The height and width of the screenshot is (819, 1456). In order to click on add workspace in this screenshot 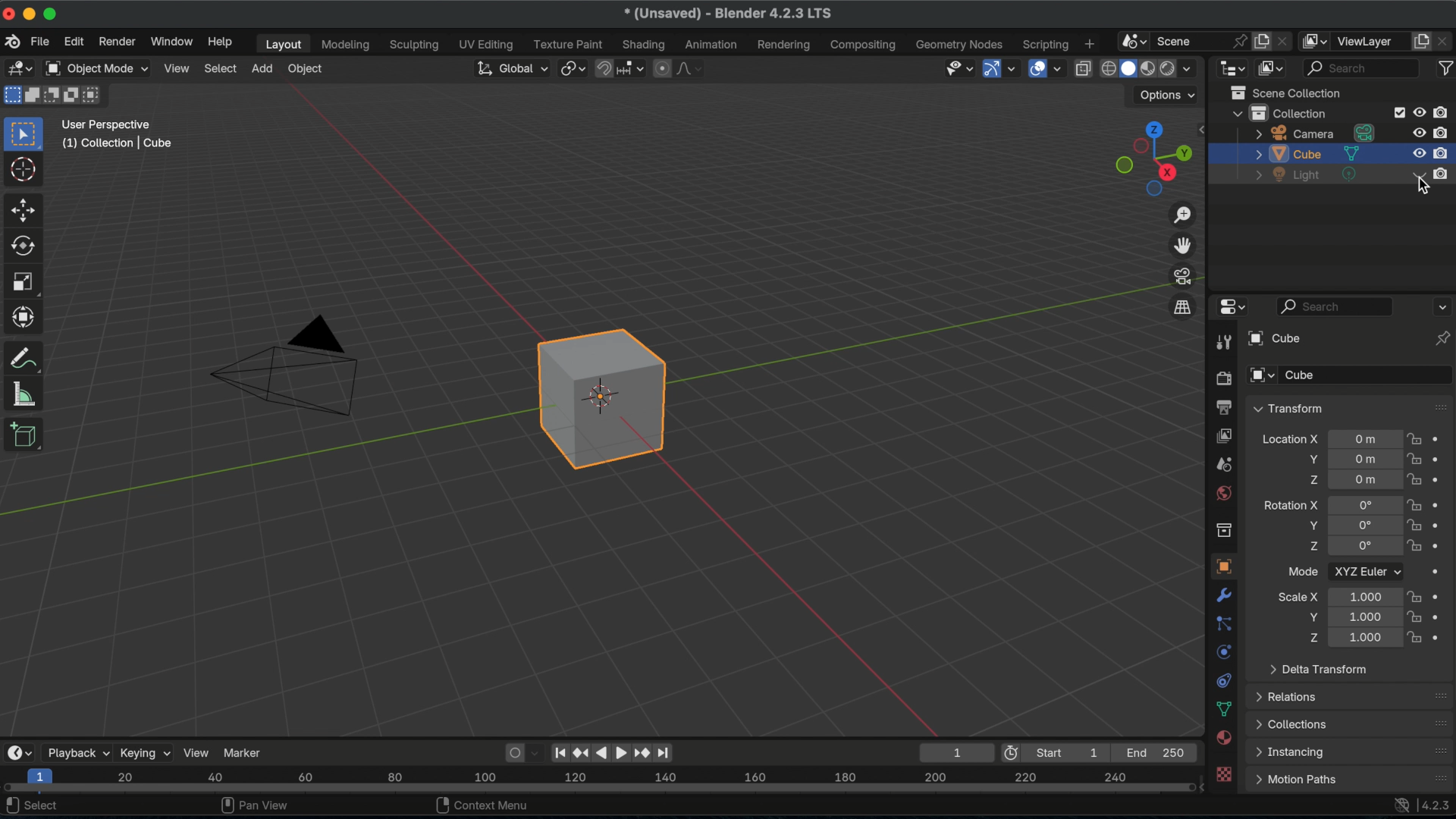, I will do `click(1090, 42)`.